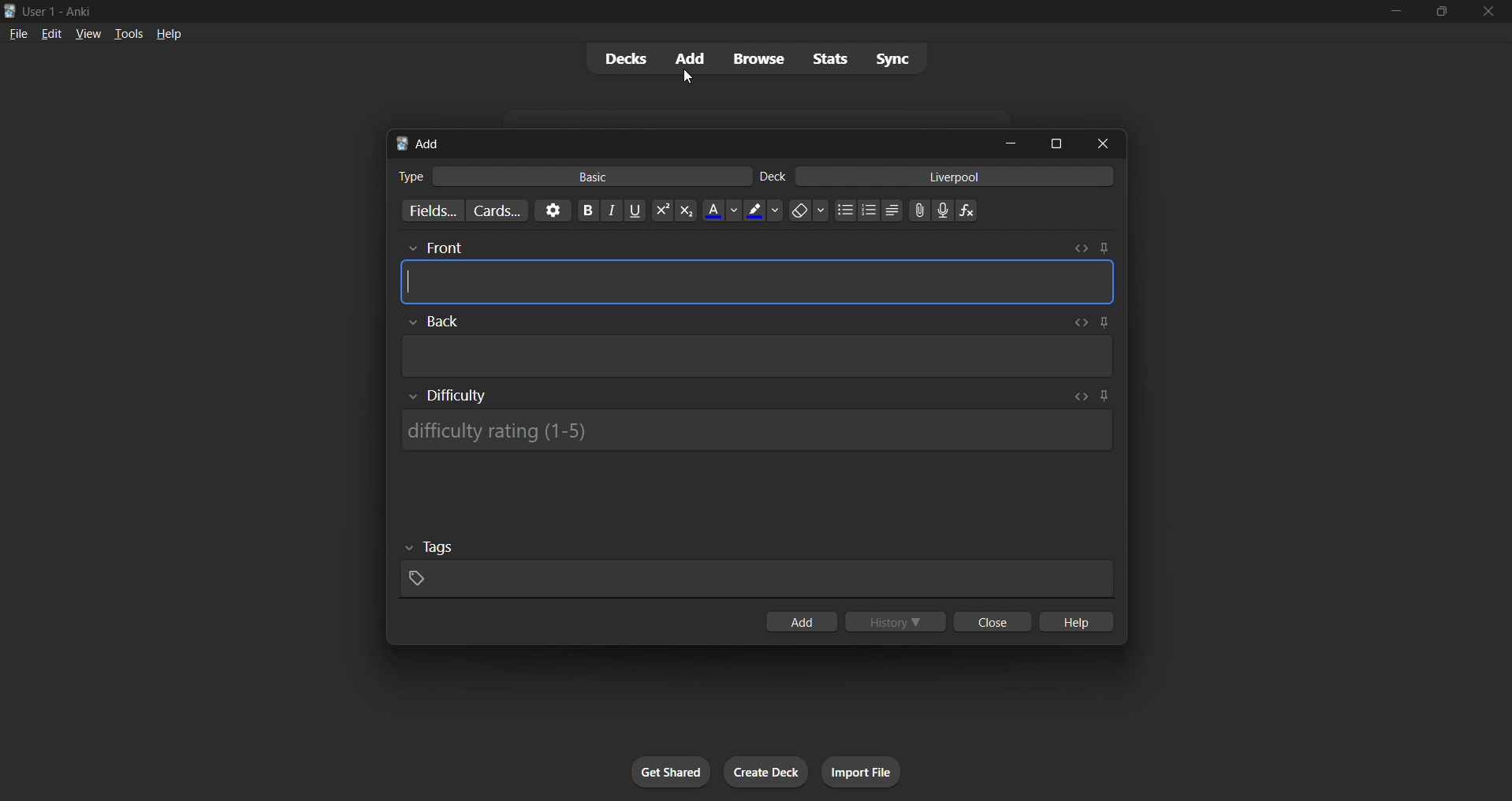 This screenshot has width=1512, height=801. Describe the element at coordinates (717, 209) in the screenshot. I see `font color` at that location.